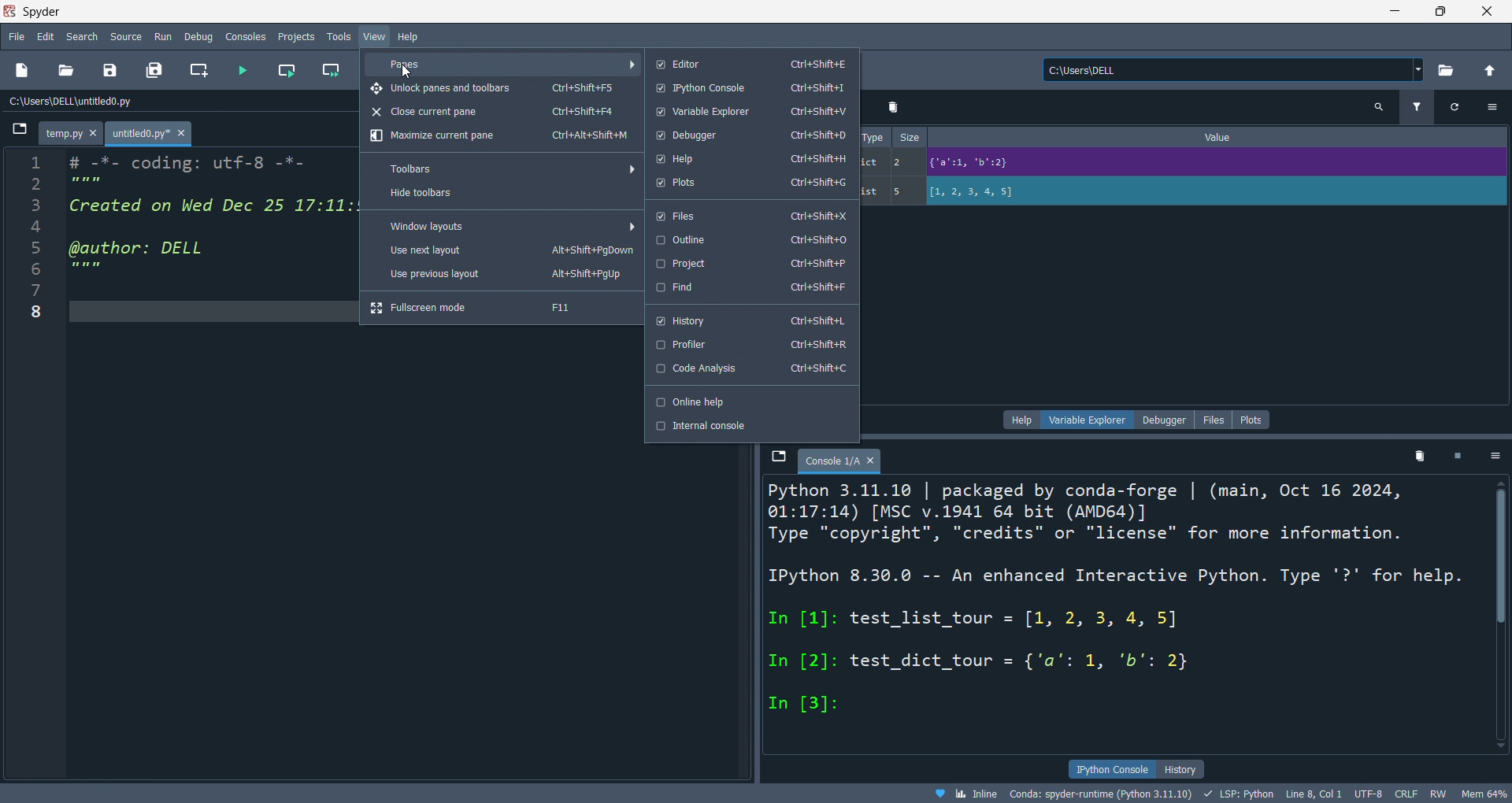 Image resolution: width=1512 pixels, height=803 pixels. I want to click on editor, so click(748, 63).